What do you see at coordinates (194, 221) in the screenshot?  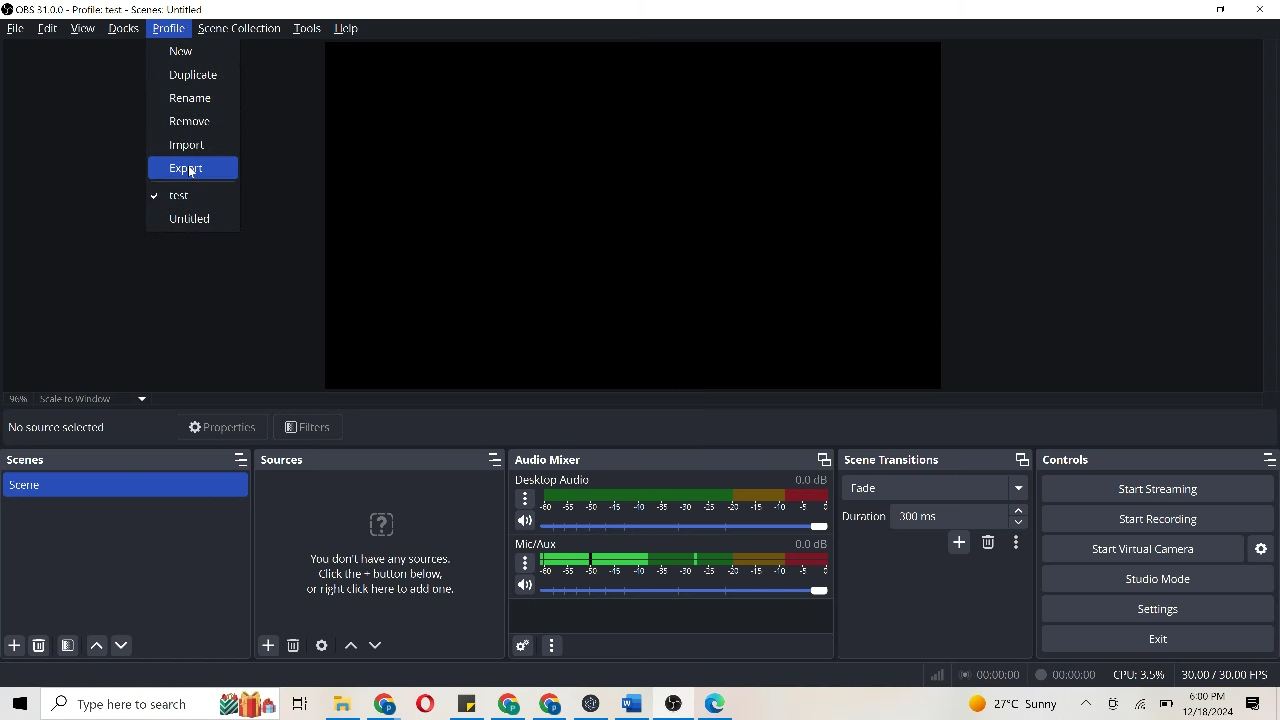 I see `untitled` at bounding box center [194, 221].